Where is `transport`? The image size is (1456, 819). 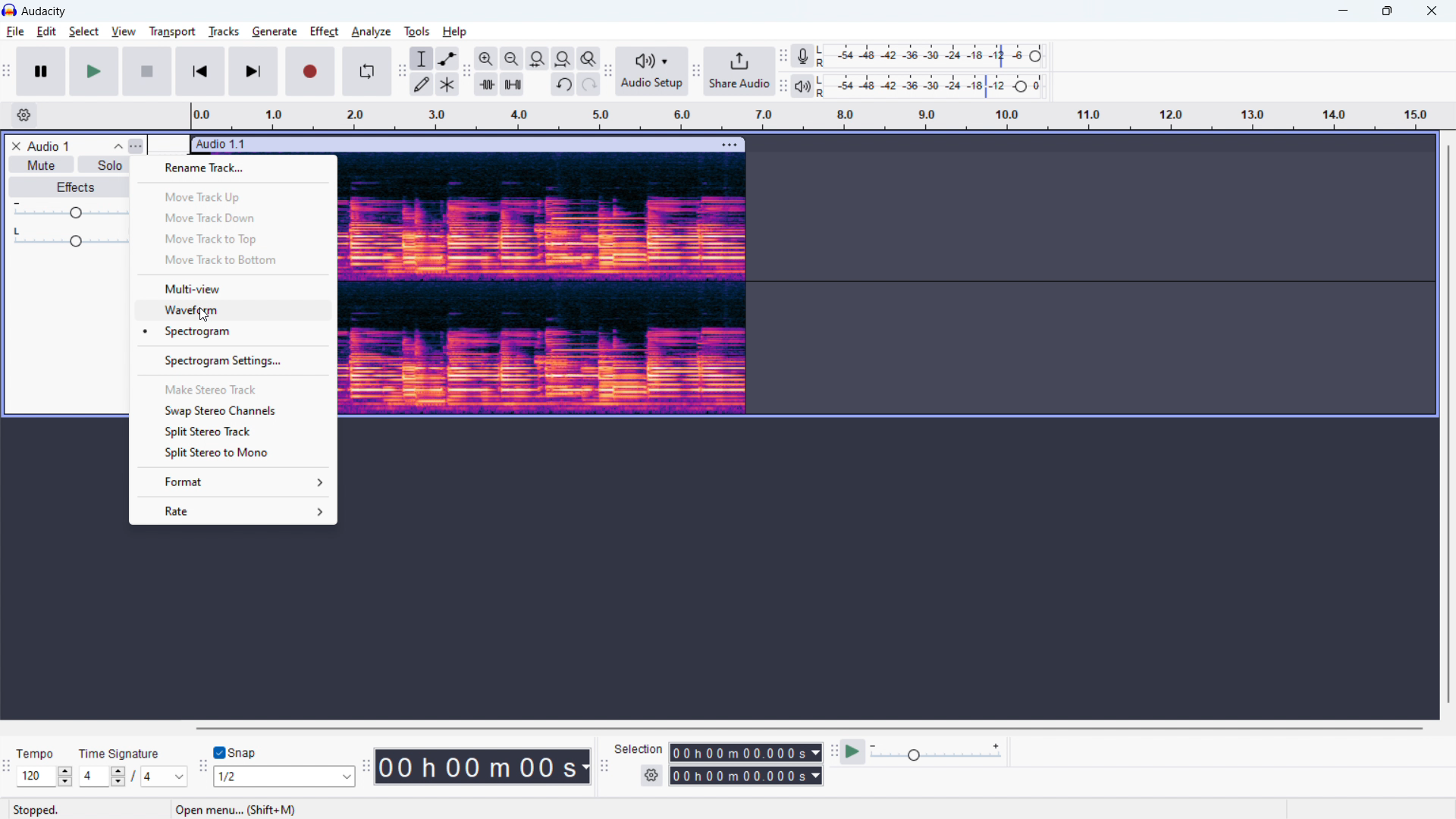
transport is located at coordinates (173, 31).